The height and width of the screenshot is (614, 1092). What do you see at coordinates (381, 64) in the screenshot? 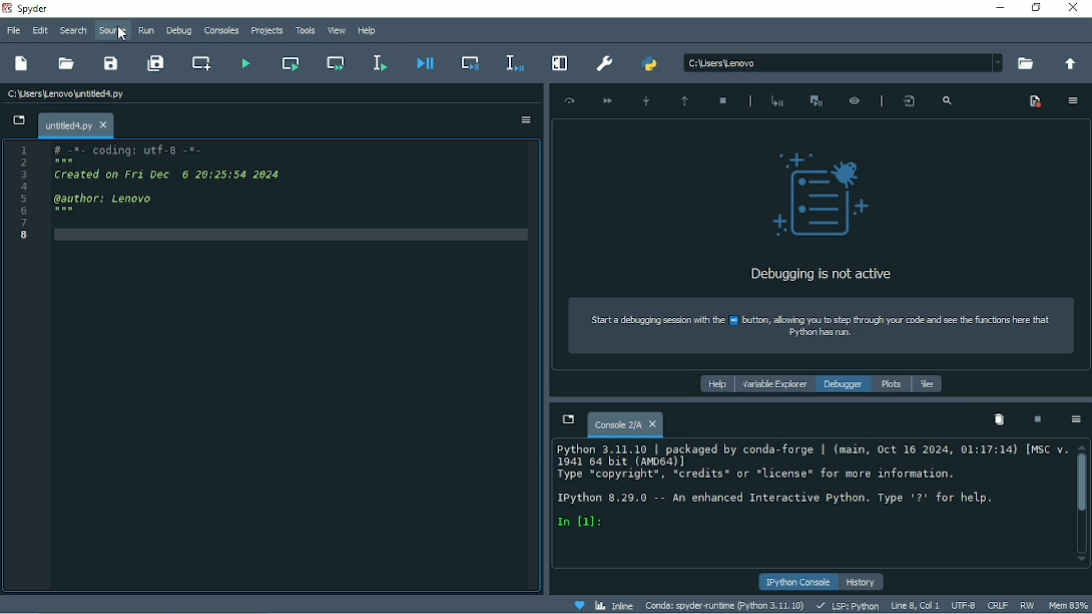
I see `Run selection or current file` at bounding box center [381, 64].